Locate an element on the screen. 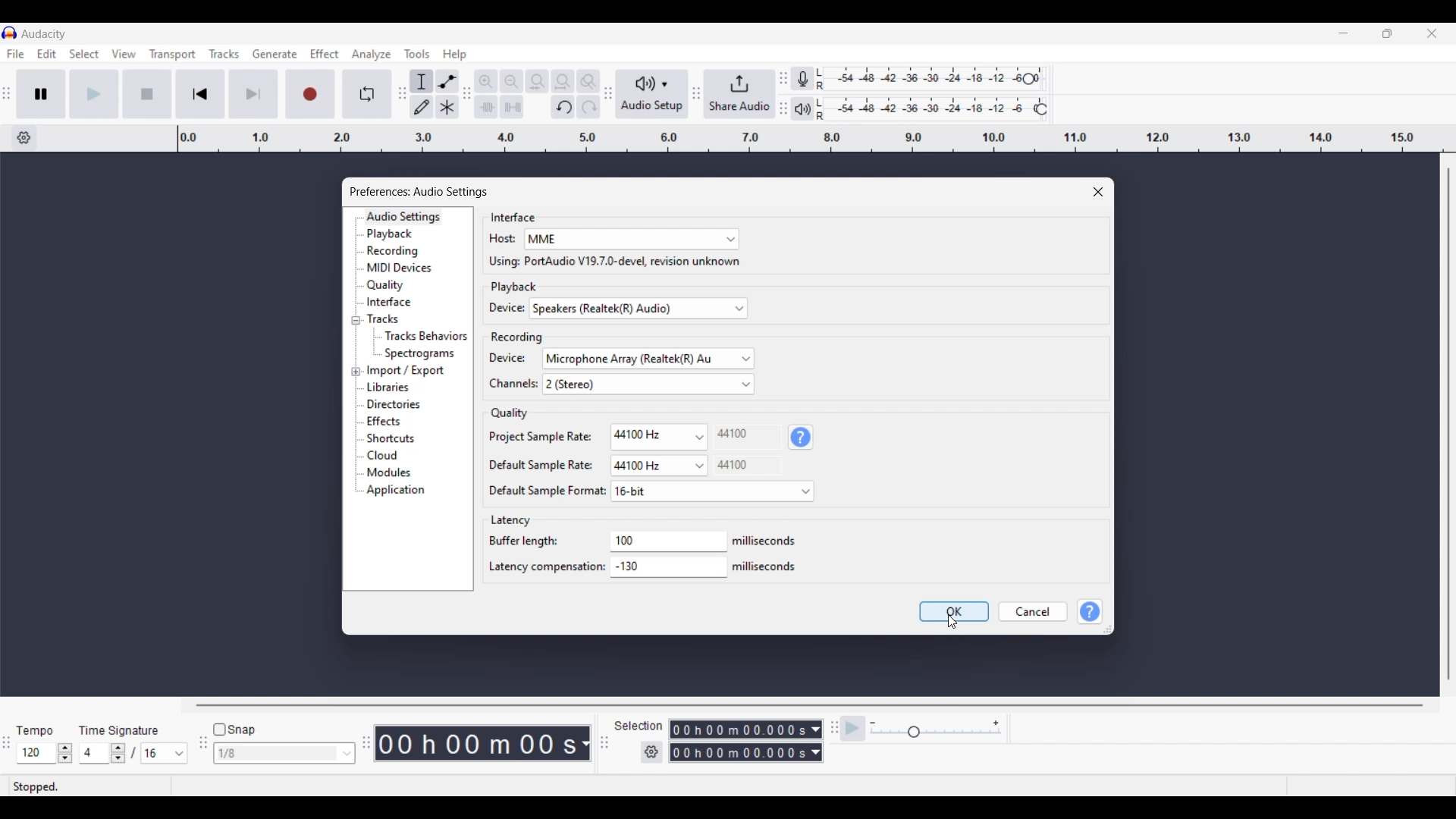 The image size is (1456, 819). Share audio is located at coordinates (739, 94).